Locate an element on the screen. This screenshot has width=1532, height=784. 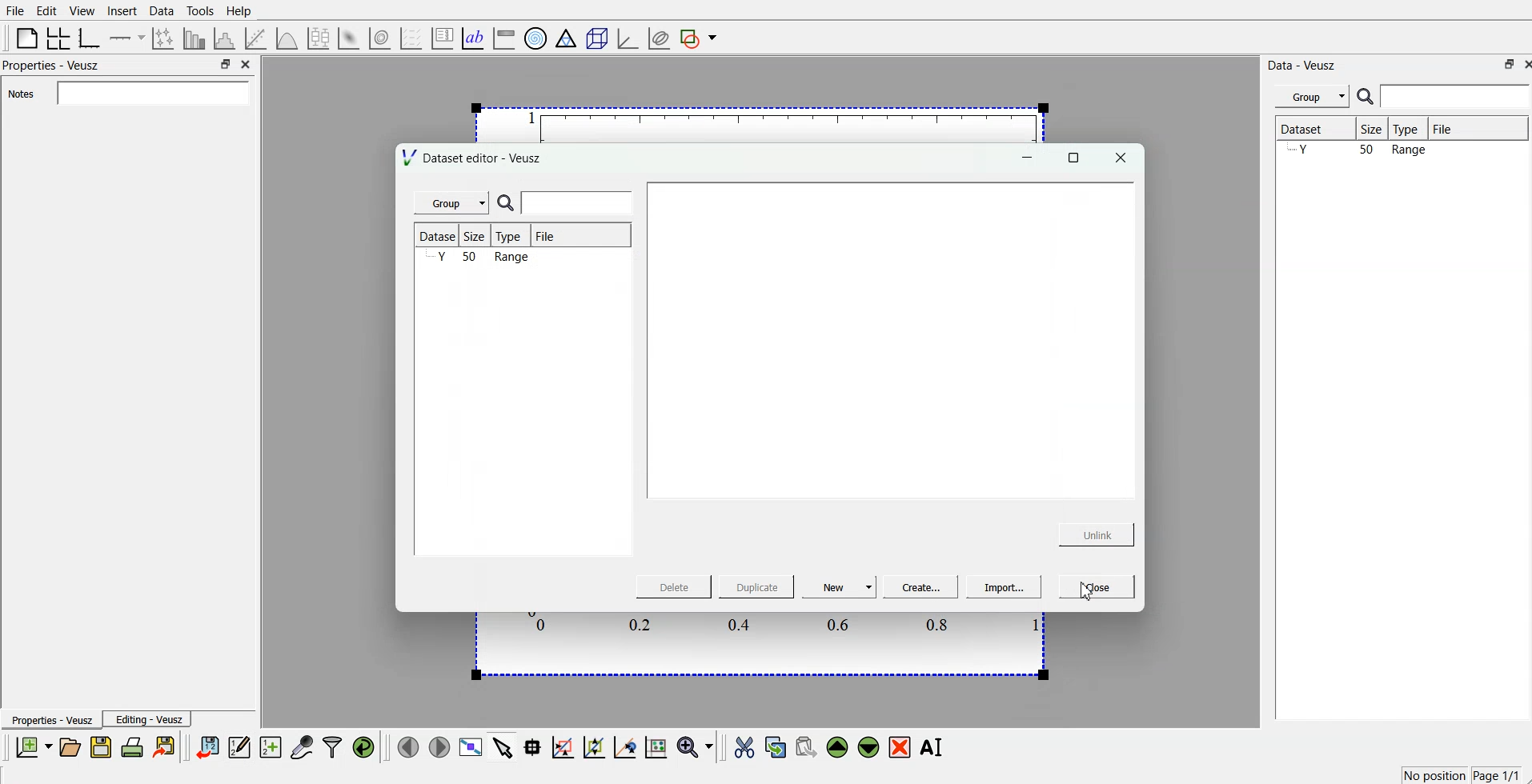
remove the selected widgets is located at coordinates (900, 748).